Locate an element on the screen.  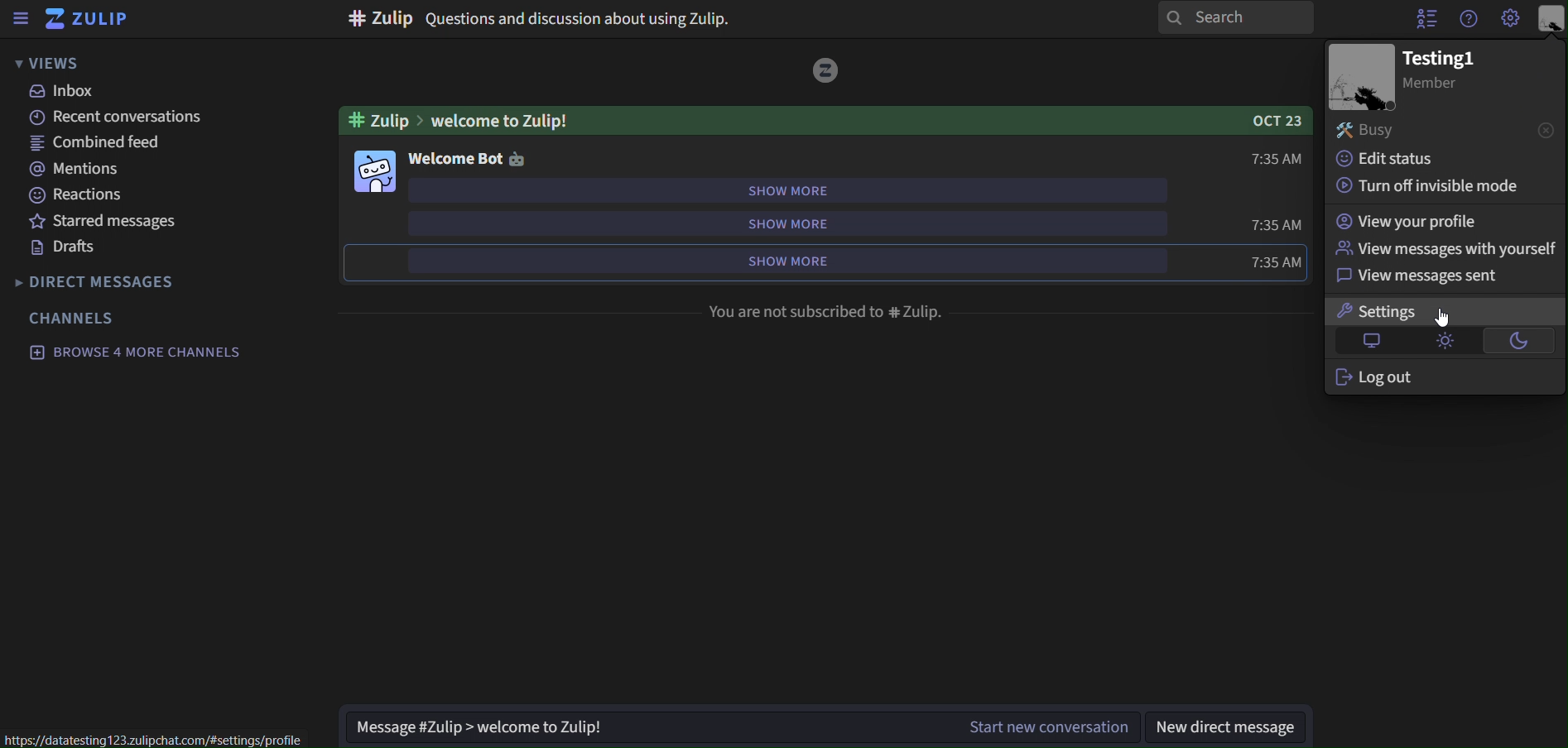
new direct message is located at coordinates (1227, 728).